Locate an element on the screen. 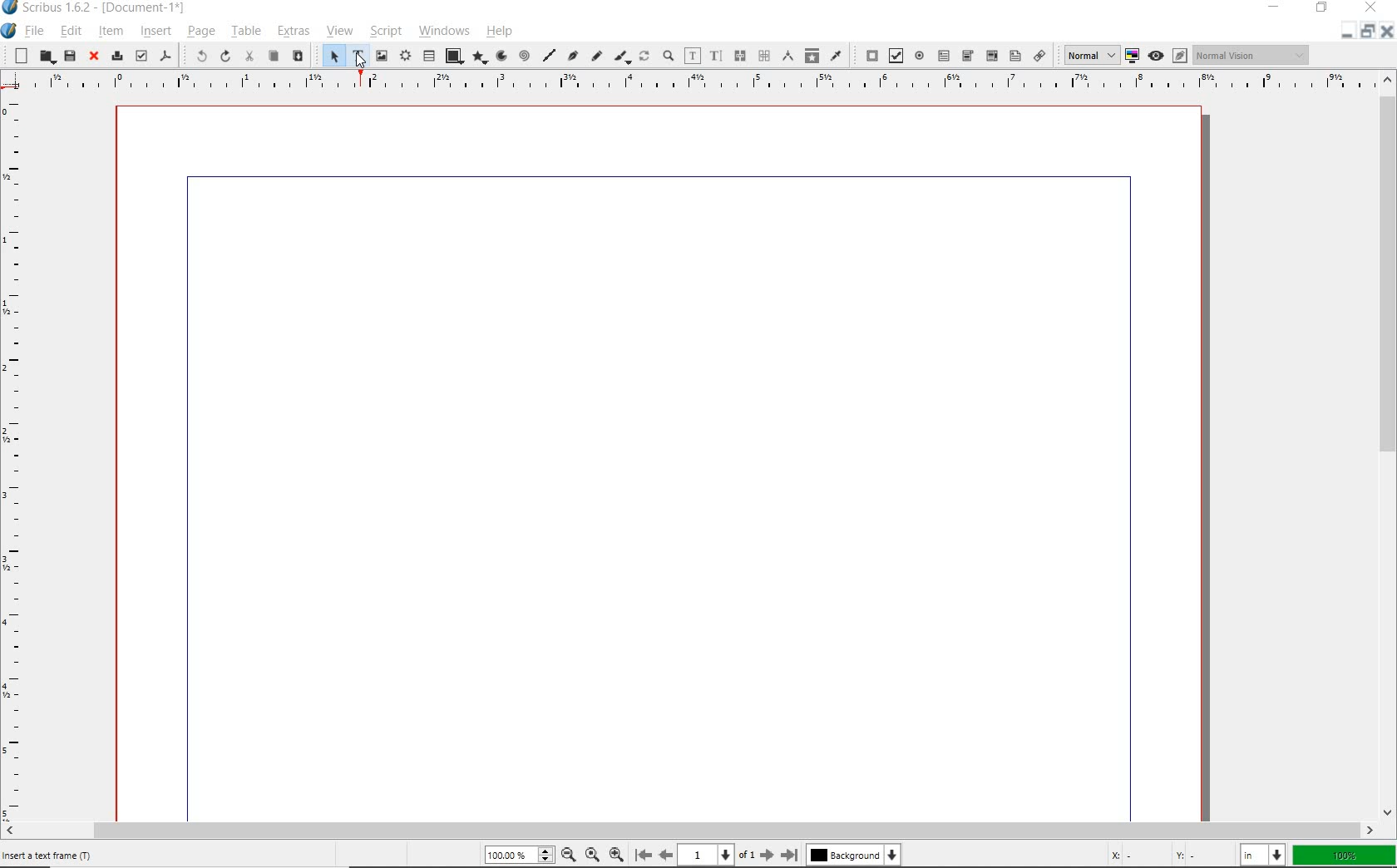 The height and width of the screenshot is (868, 1397). polygon is located at coordinates (481, 58).